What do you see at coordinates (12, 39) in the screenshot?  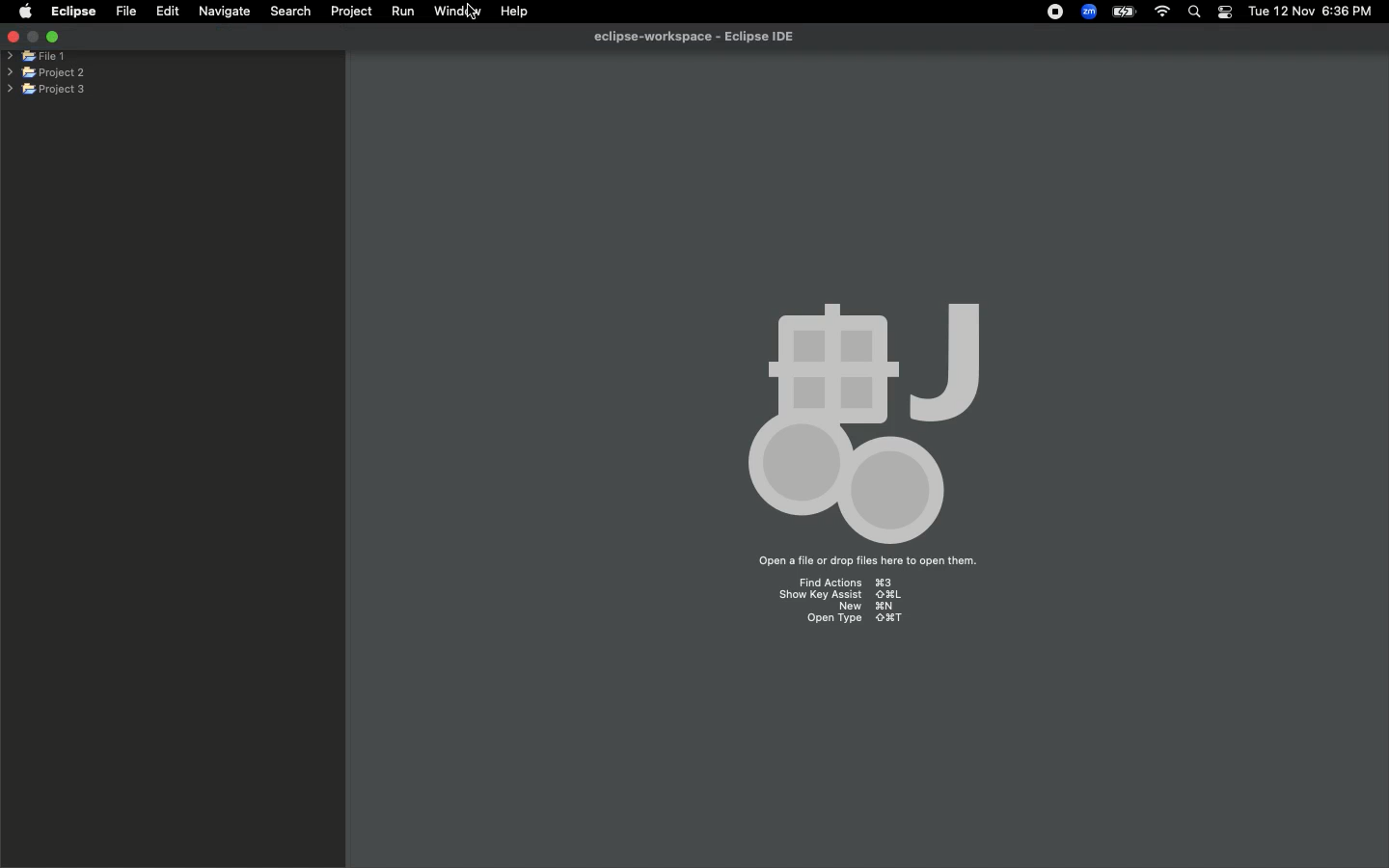 I see `Close` at bounding box center [12, 39].